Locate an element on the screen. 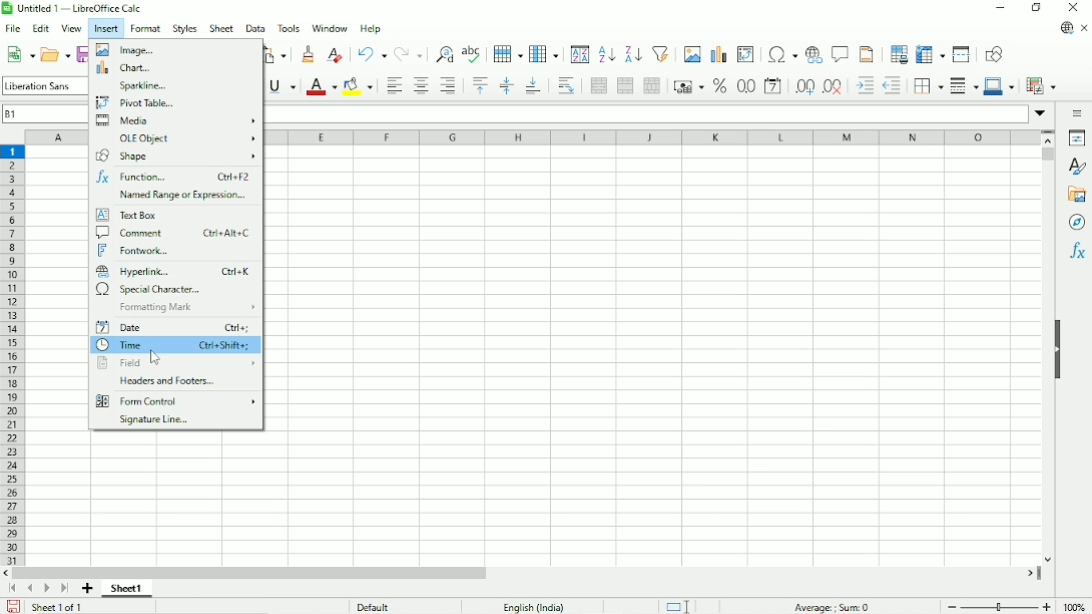  Date is located at coordinates (174, 327).